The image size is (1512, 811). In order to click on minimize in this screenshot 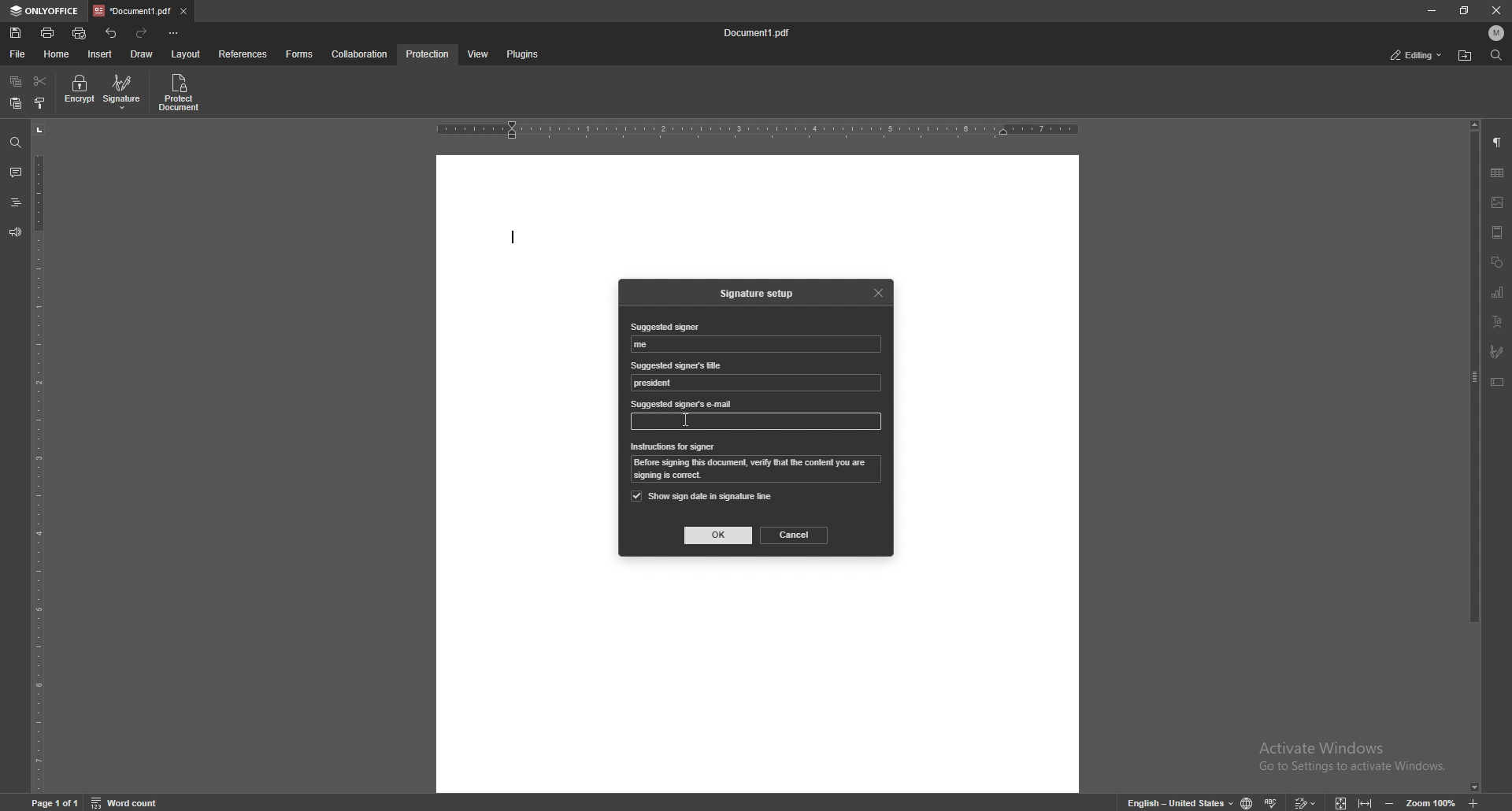, I will do `click(1431, 9)`.